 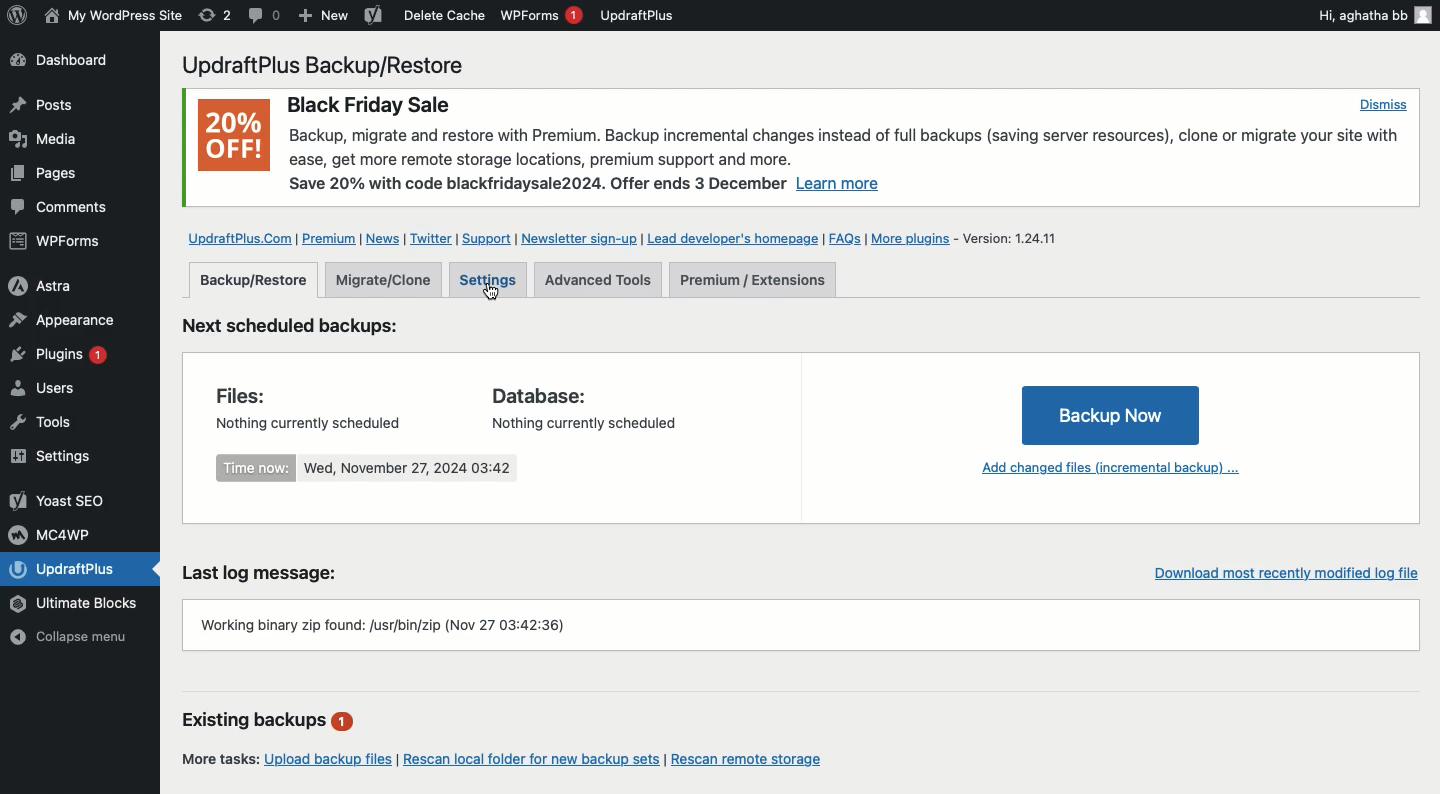 What do you see at coordinates (46, 138) in the screenshot?
I see `Media` at bounding box center [46, 138].